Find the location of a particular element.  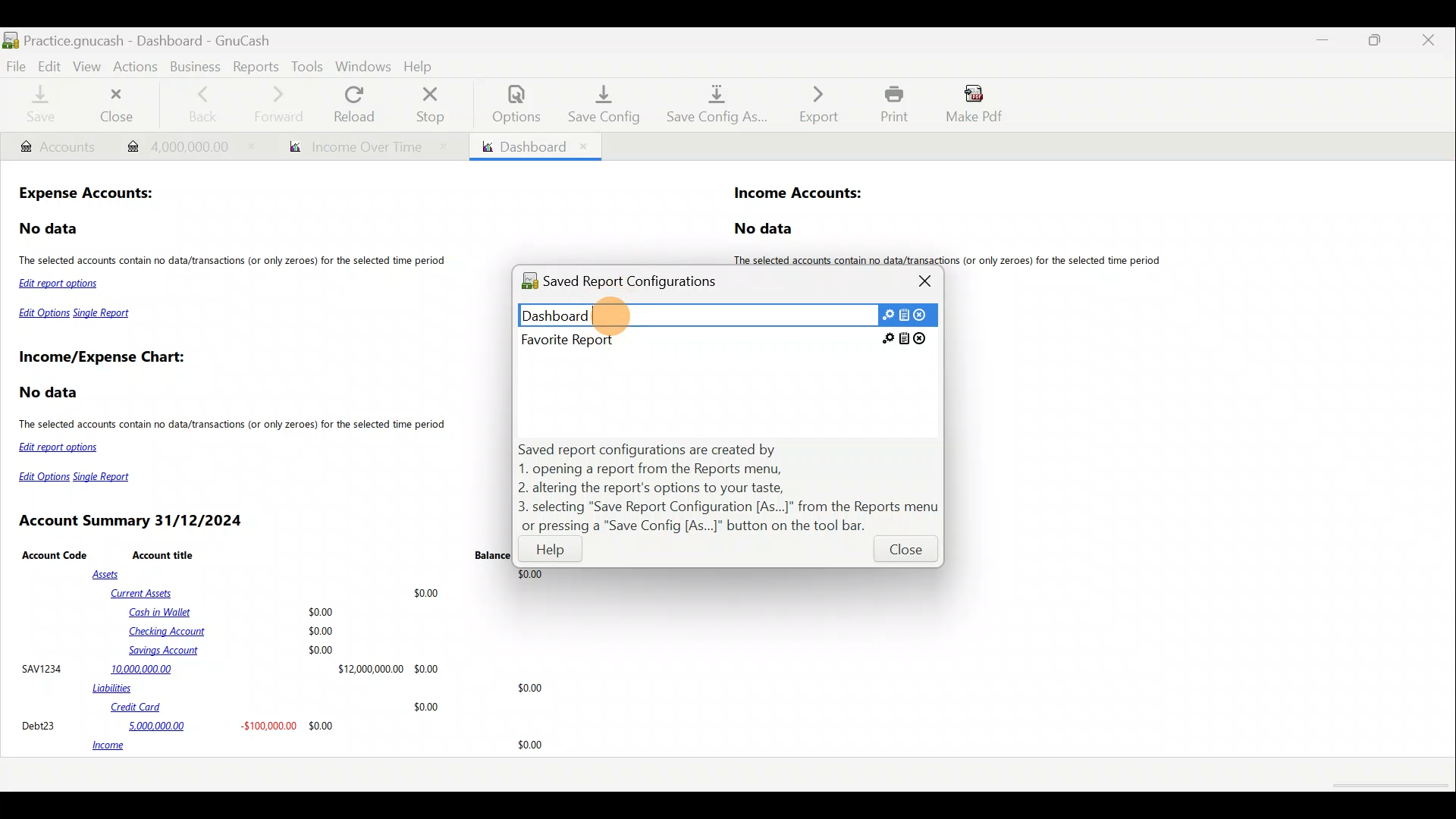

Forward is located at coordinates (284, 104).